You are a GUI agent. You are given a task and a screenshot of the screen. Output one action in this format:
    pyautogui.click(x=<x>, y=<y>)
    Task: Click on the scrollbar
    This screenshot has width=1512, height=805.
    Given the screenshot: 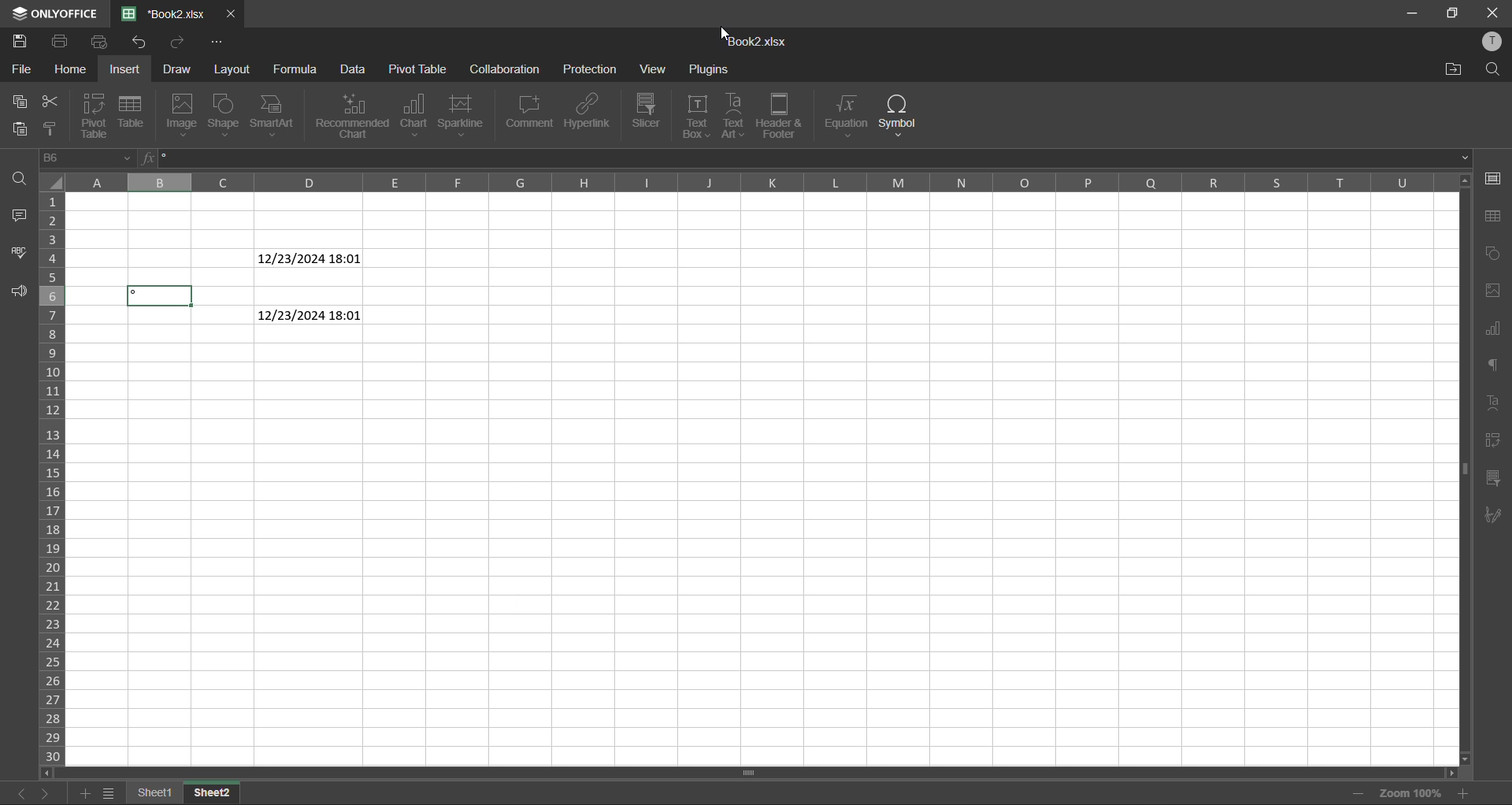 What is the action you would take?
    pyautogui.click(x=1464, y=469)
    